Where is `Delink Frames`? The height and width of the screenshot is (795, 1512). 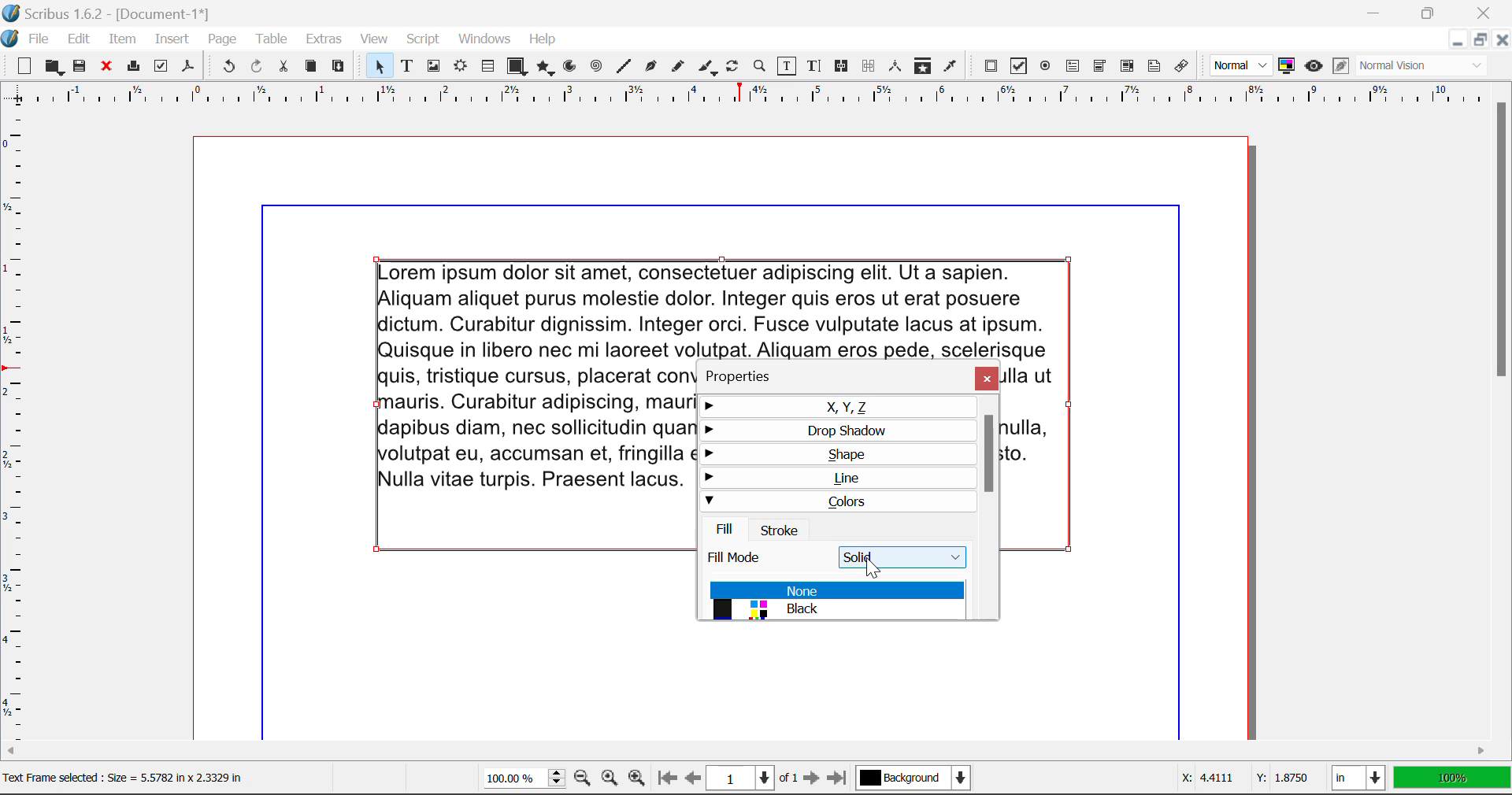 Delink Frames is located at coordinates (869, 66).